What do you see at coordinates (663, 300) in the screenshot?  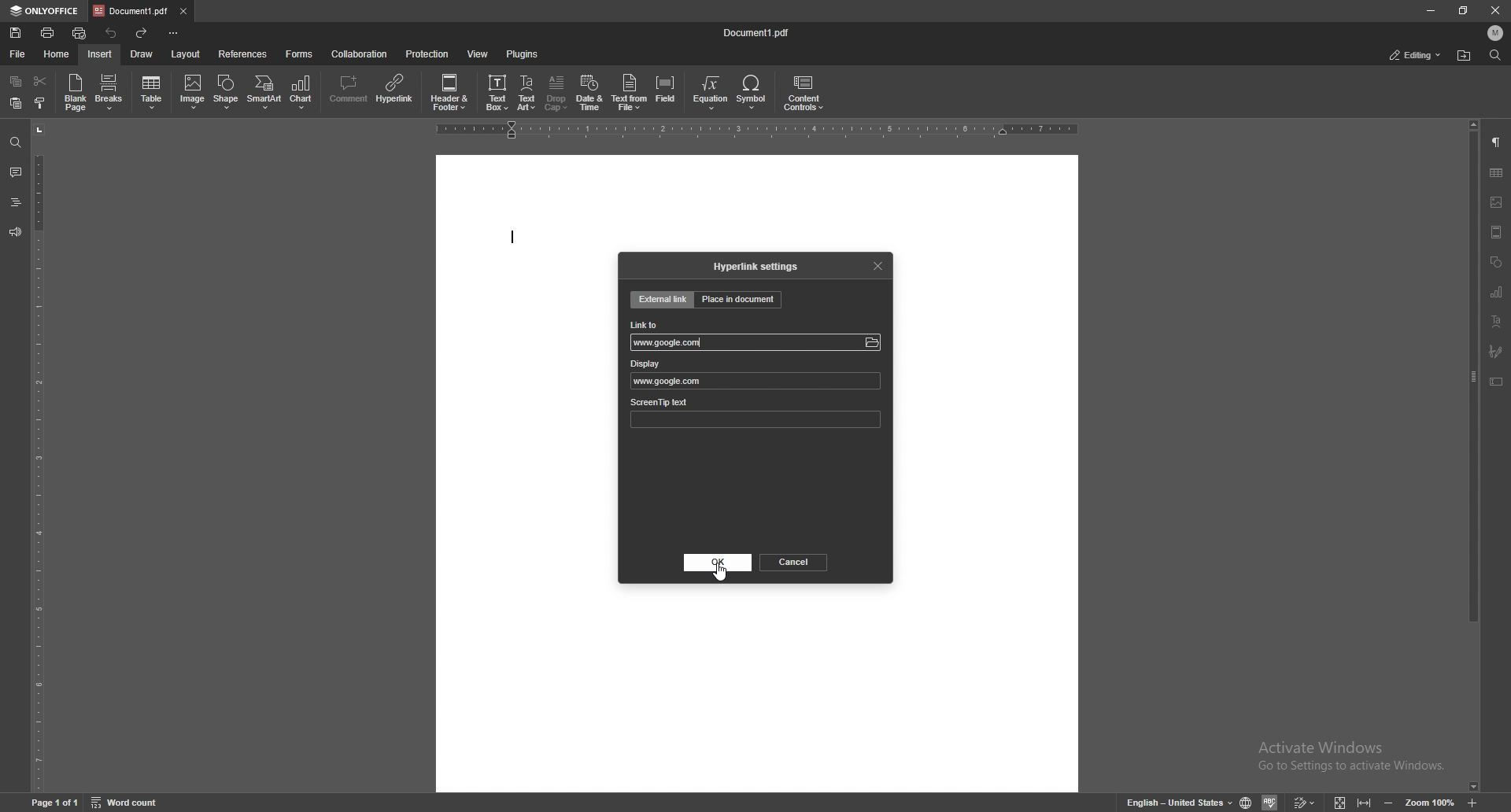 I see `external link` at bounding box center [663, 300].